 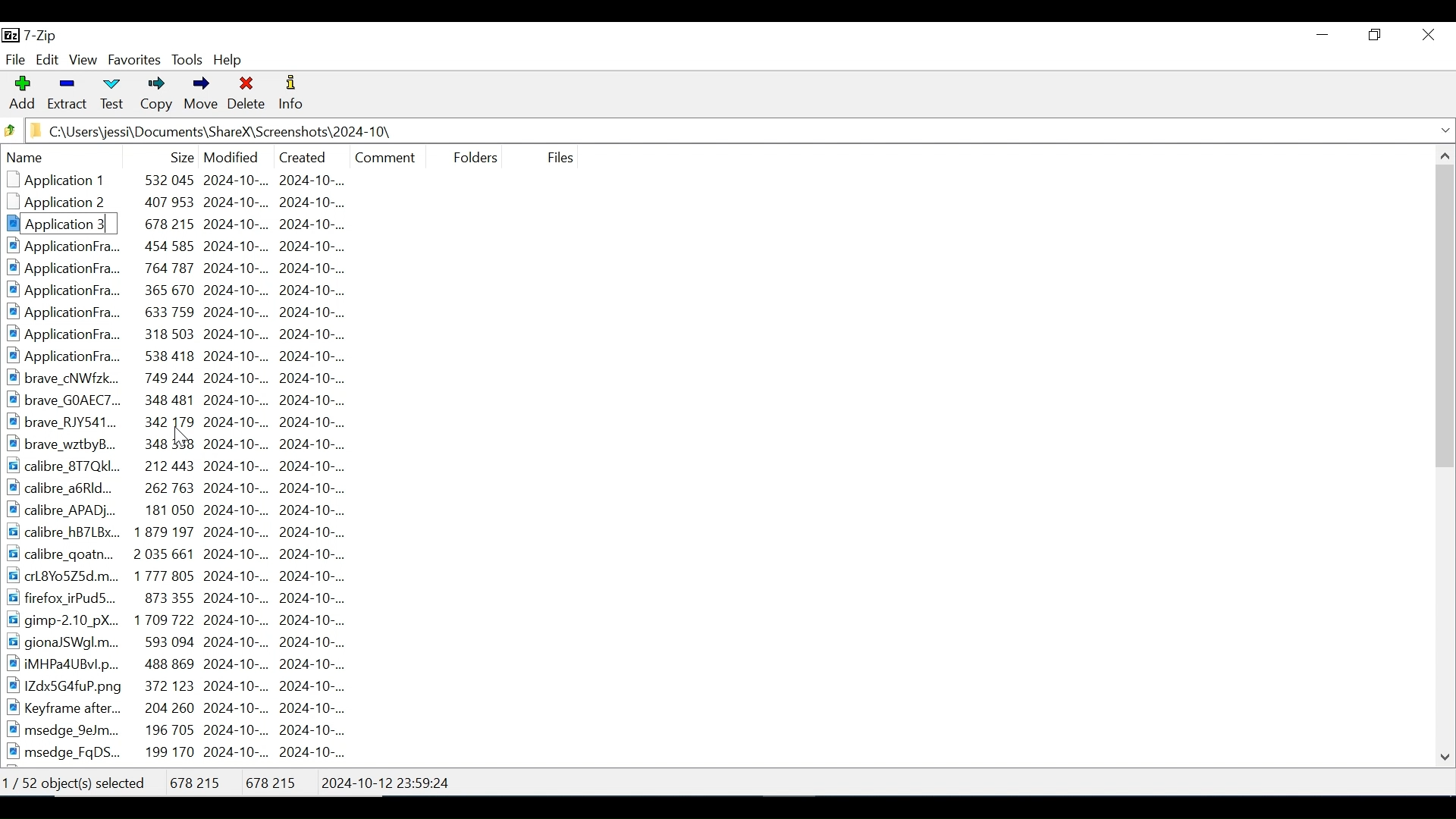 I want to click on Add, so click(x=22, y=94).